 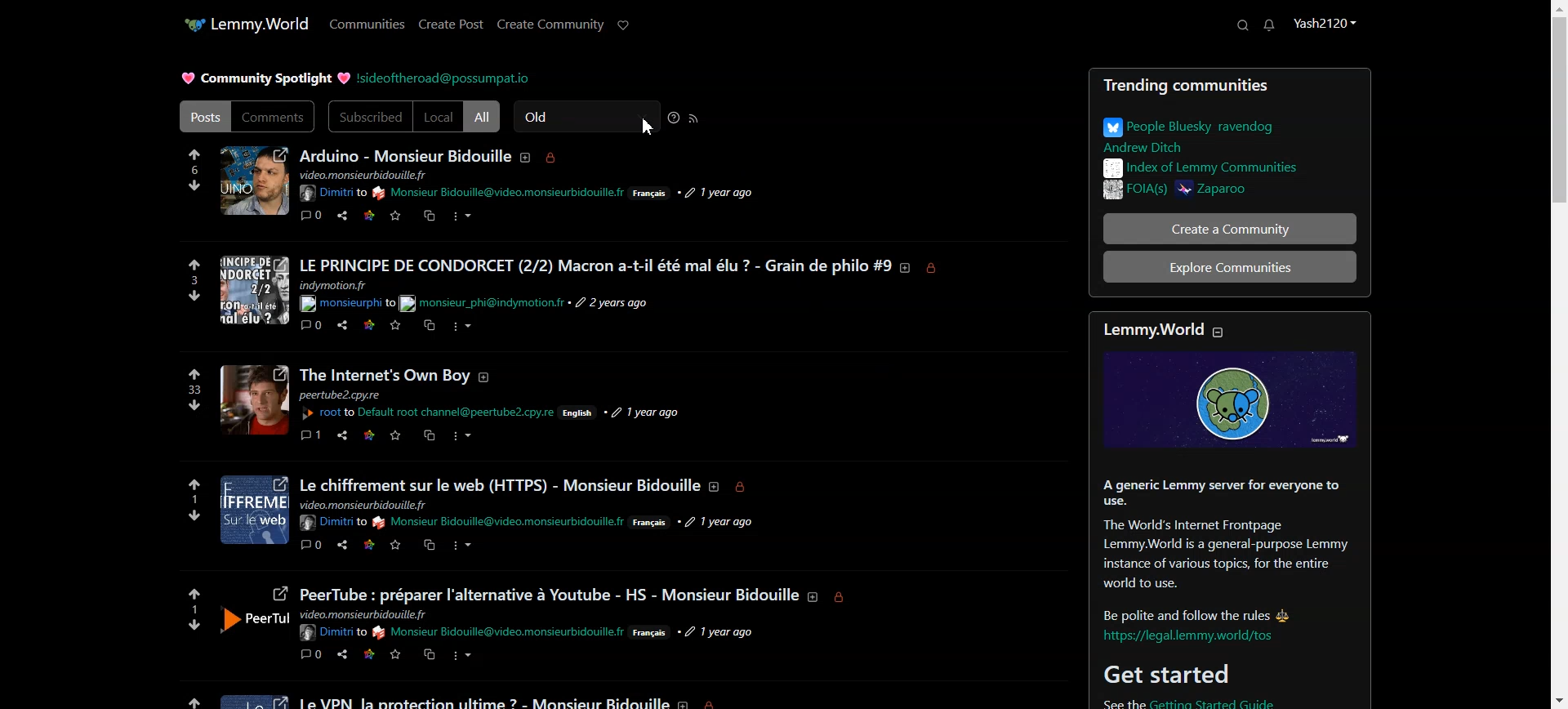 I want to click on locked, so click(x=937, y=268).